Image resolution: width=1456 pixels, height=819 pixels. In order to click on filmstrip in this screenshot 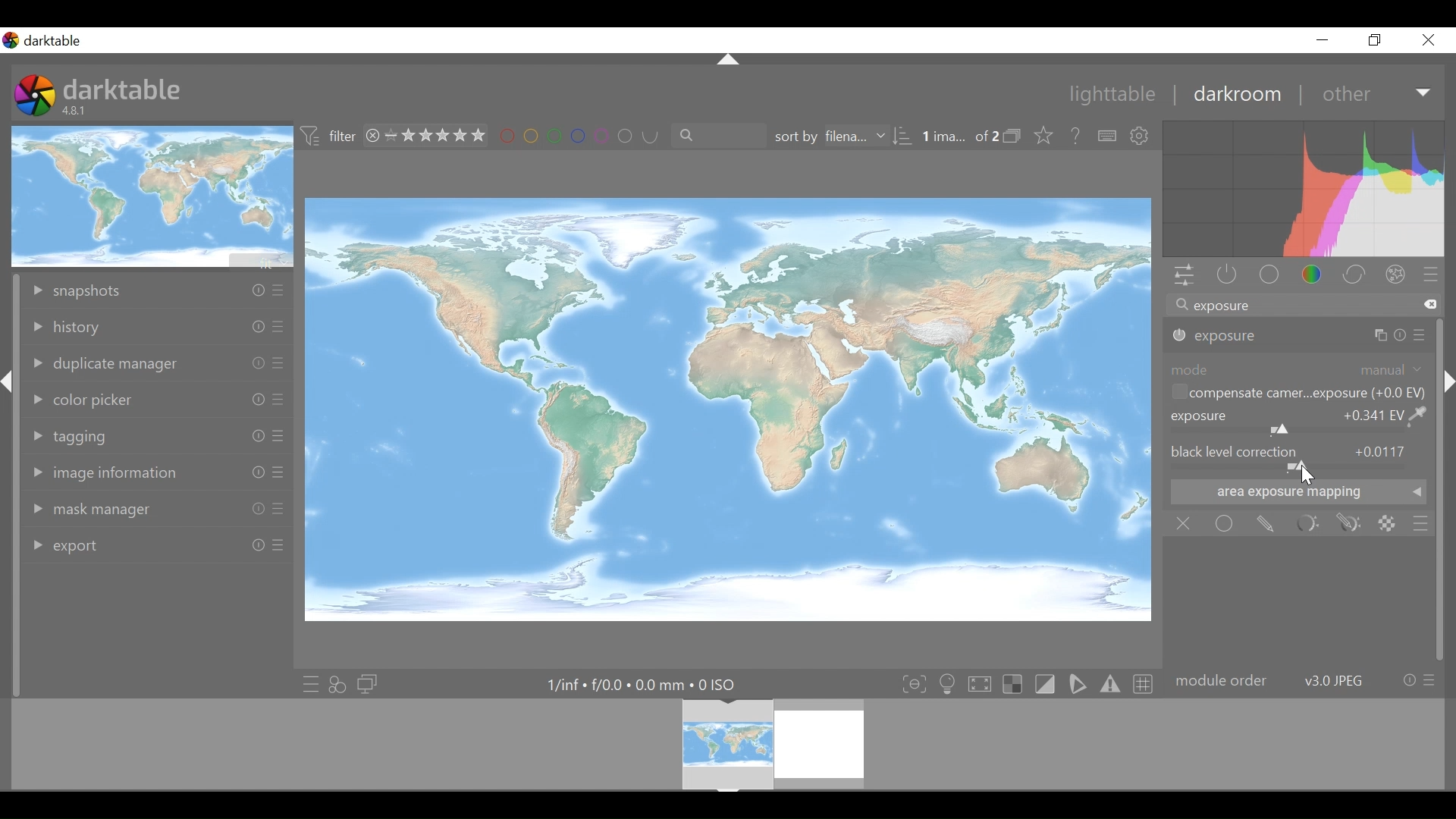, I will do `click(726, 744)`.